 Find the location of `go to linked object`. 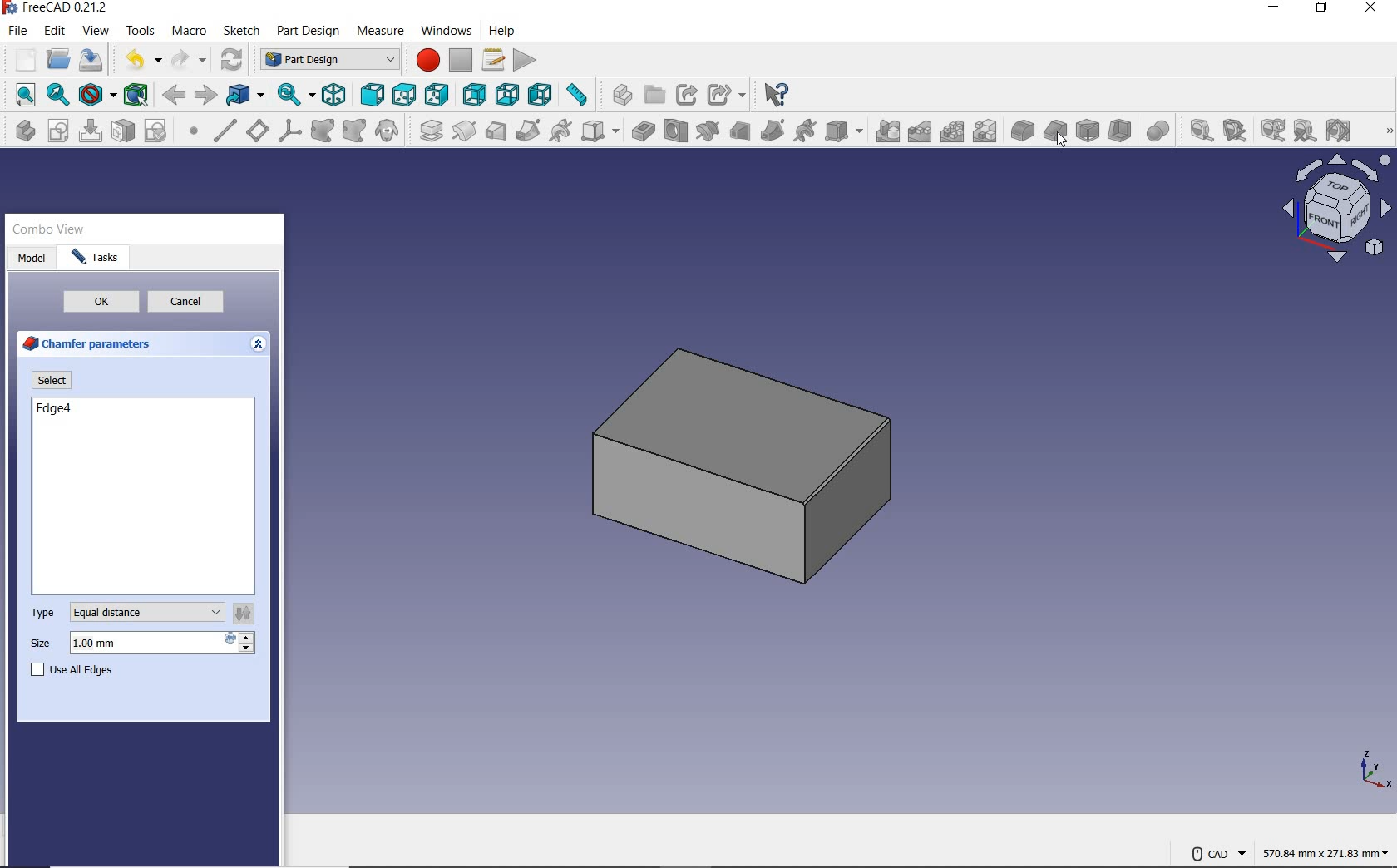

go to linked object is located at coordinates (246, 94).